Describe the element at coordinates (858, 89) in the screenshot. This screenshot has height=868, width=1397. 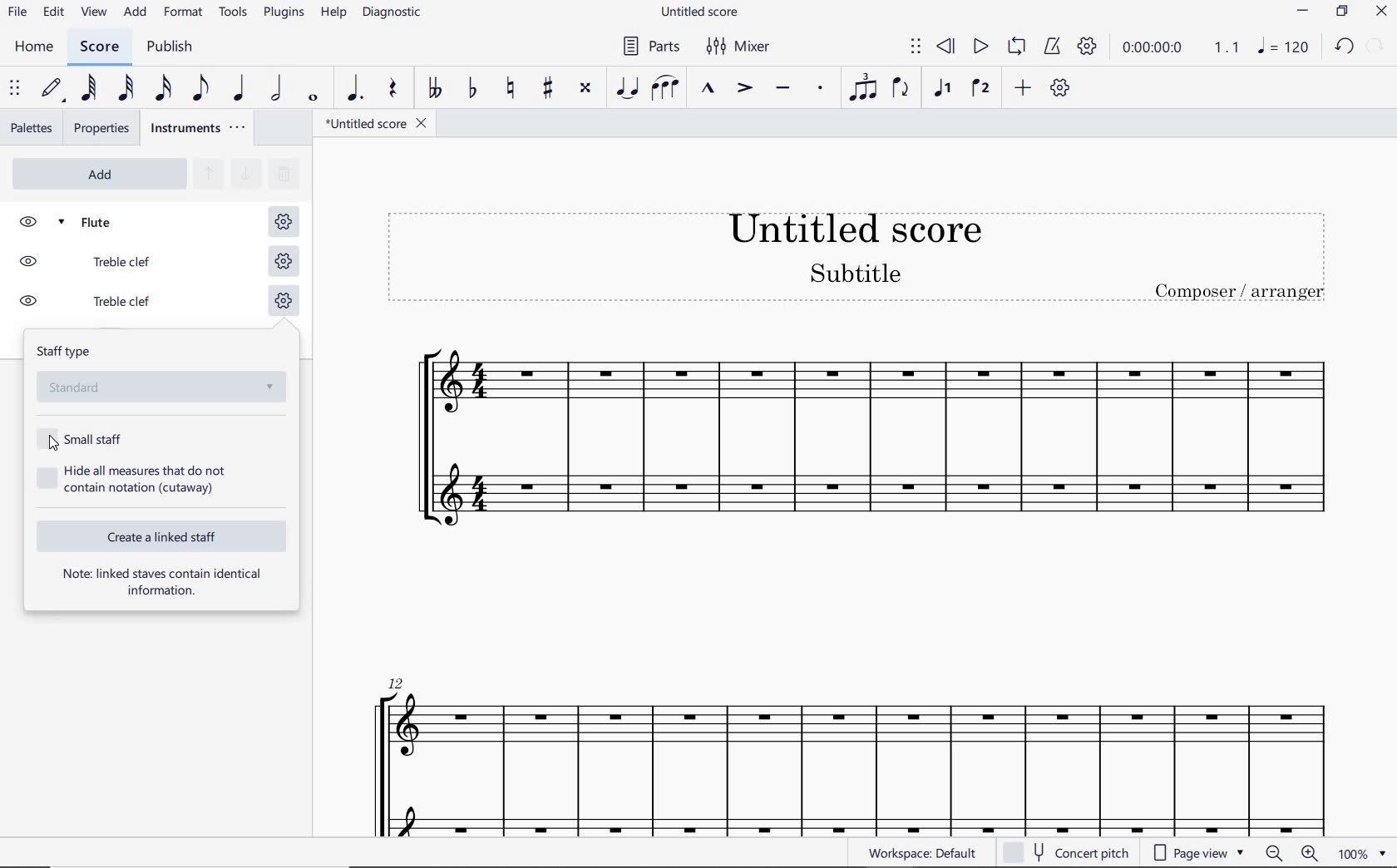
I see `TUPLET` at that location.